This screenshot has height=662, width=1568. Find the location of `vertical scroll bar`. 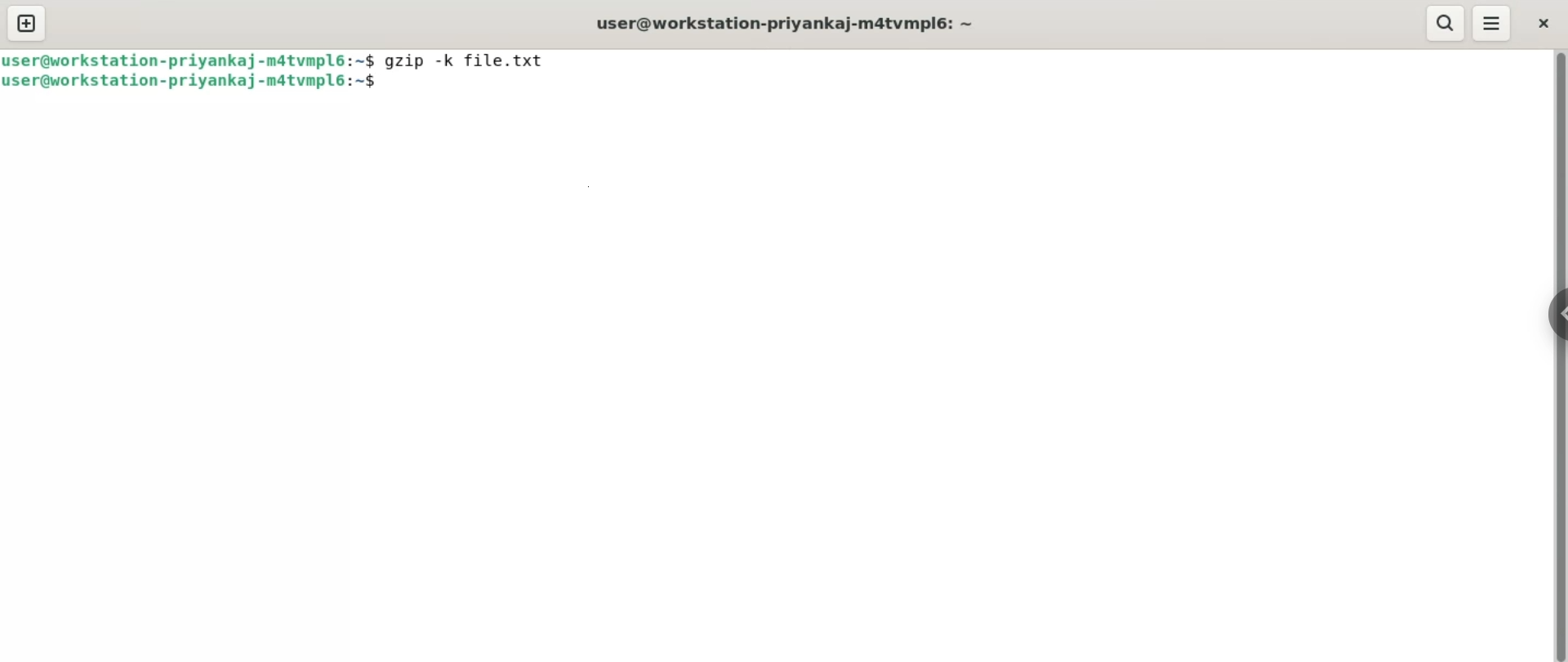

vertical scroll bar is located at coordinates (1558, 357).